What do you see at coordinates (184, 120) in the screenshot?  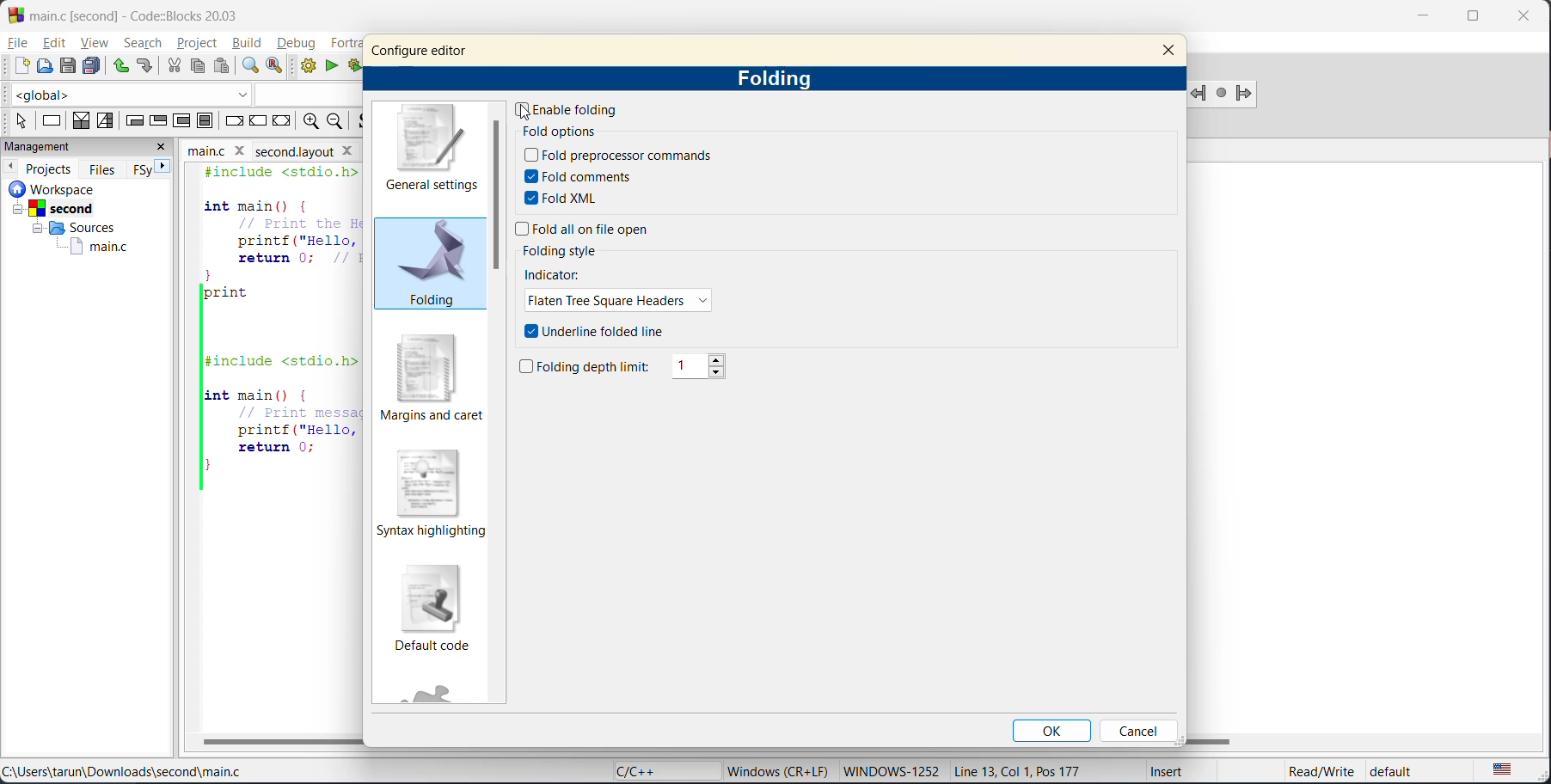 I see `counting loop` at bounding box center [184, 120].